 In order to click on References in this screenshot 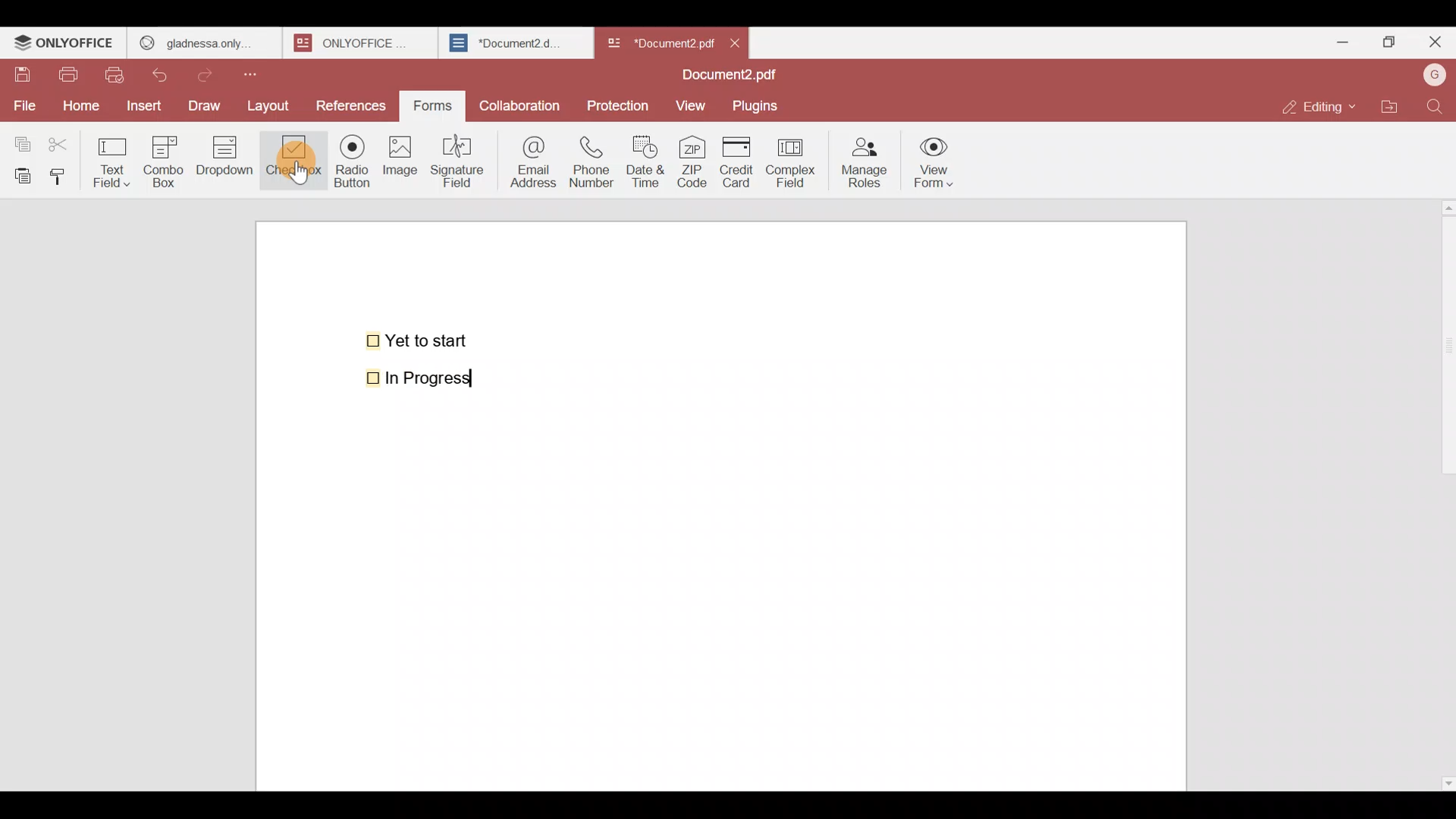, I will do `click(351, 105)`.